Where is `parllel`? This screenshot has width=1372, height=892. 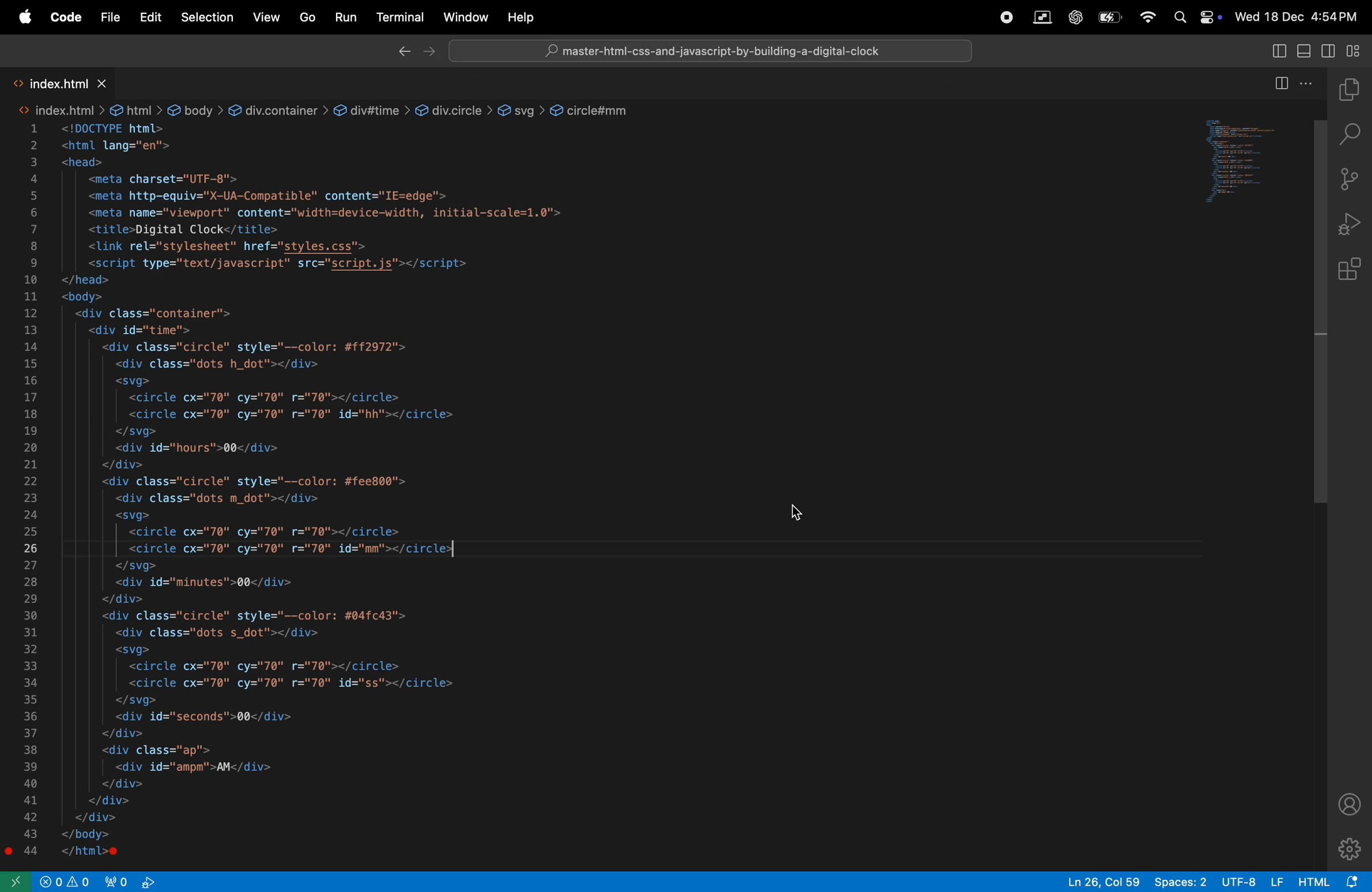
parllel is located at coordinates (1042, 17).